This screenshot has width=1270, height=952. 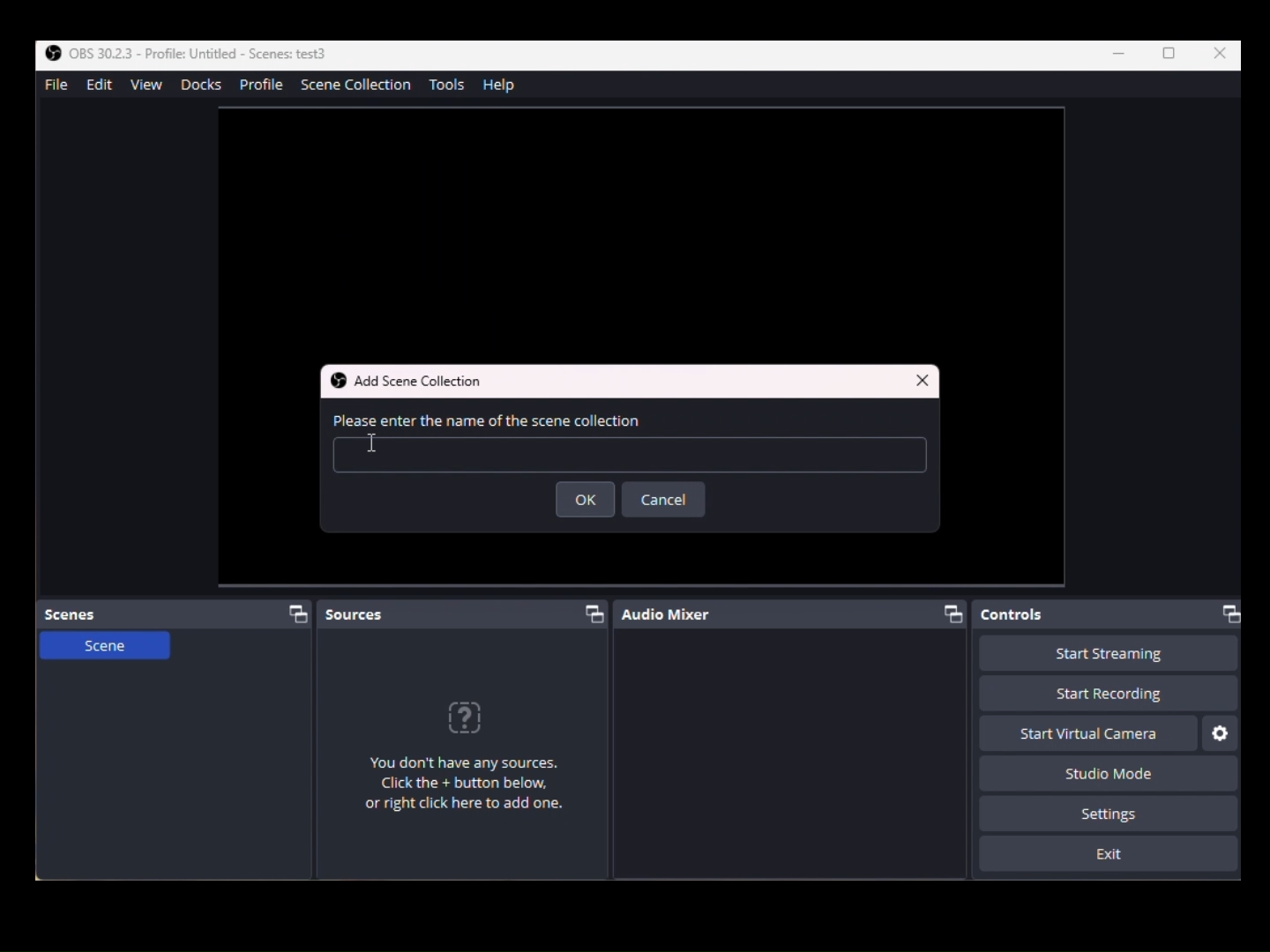 I want to click on Any Sources, so click(x=475, y=762).